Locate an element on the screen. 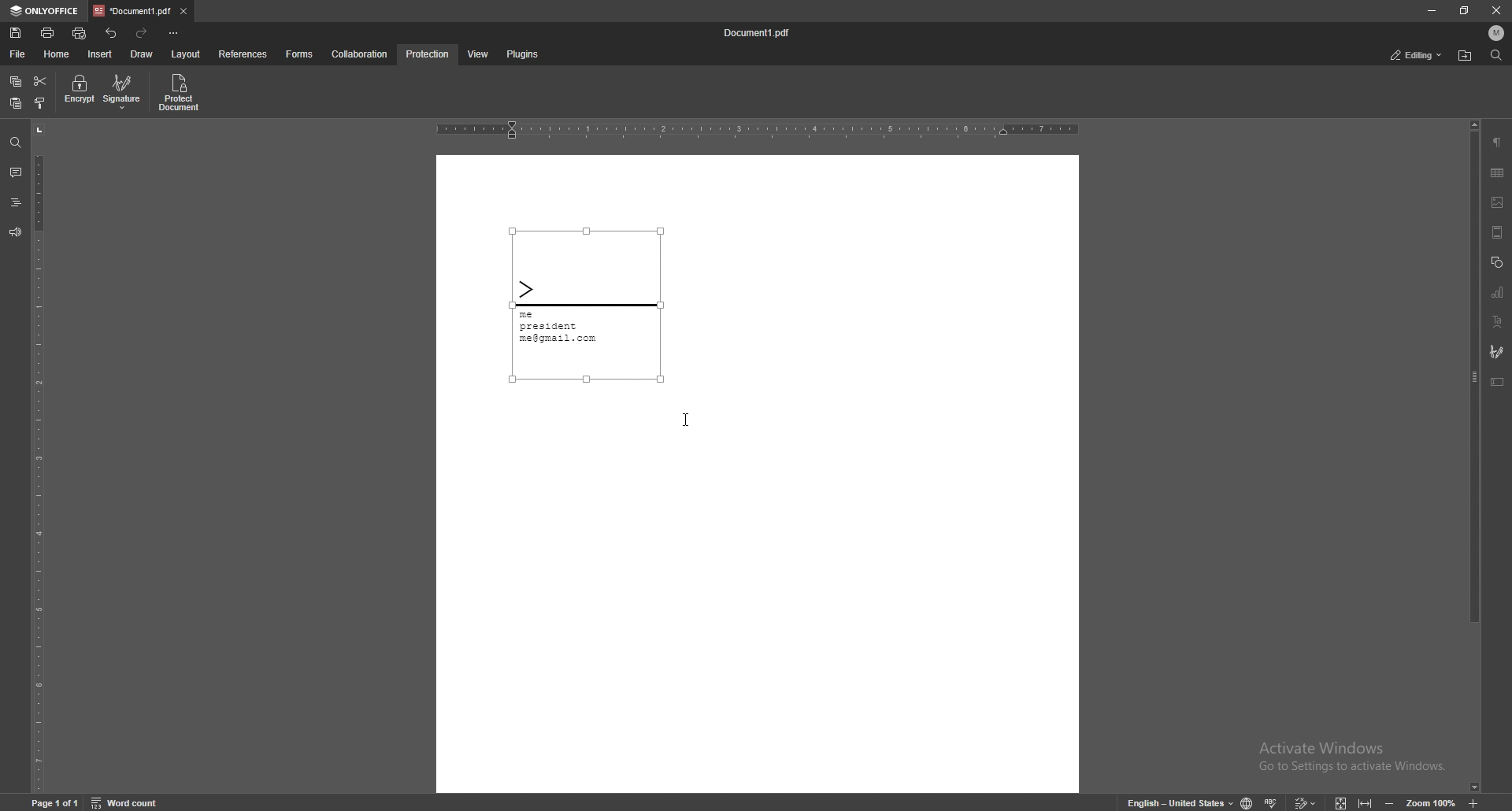  plugins is located at coordinates (521, 55).